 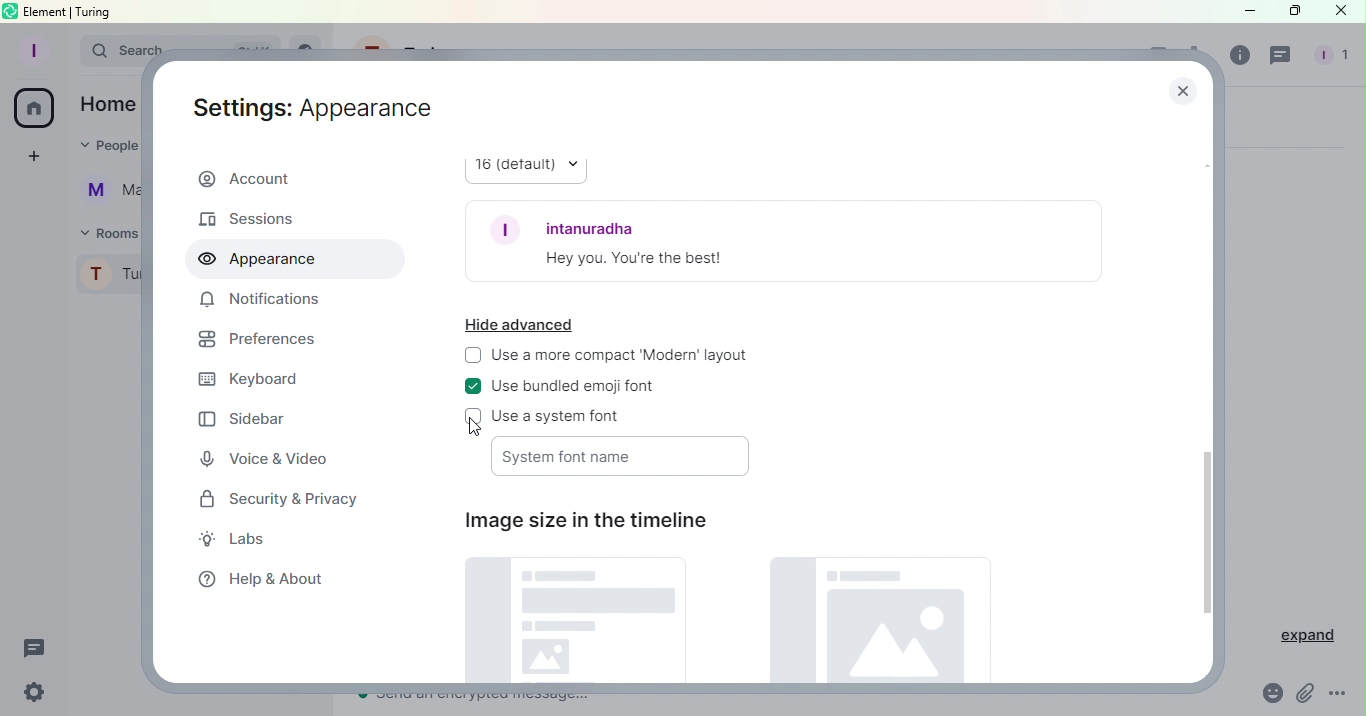 What do you see at coordinates (581, 618) in the screenshot?
I see `Default` at bounding box center [581, 618].